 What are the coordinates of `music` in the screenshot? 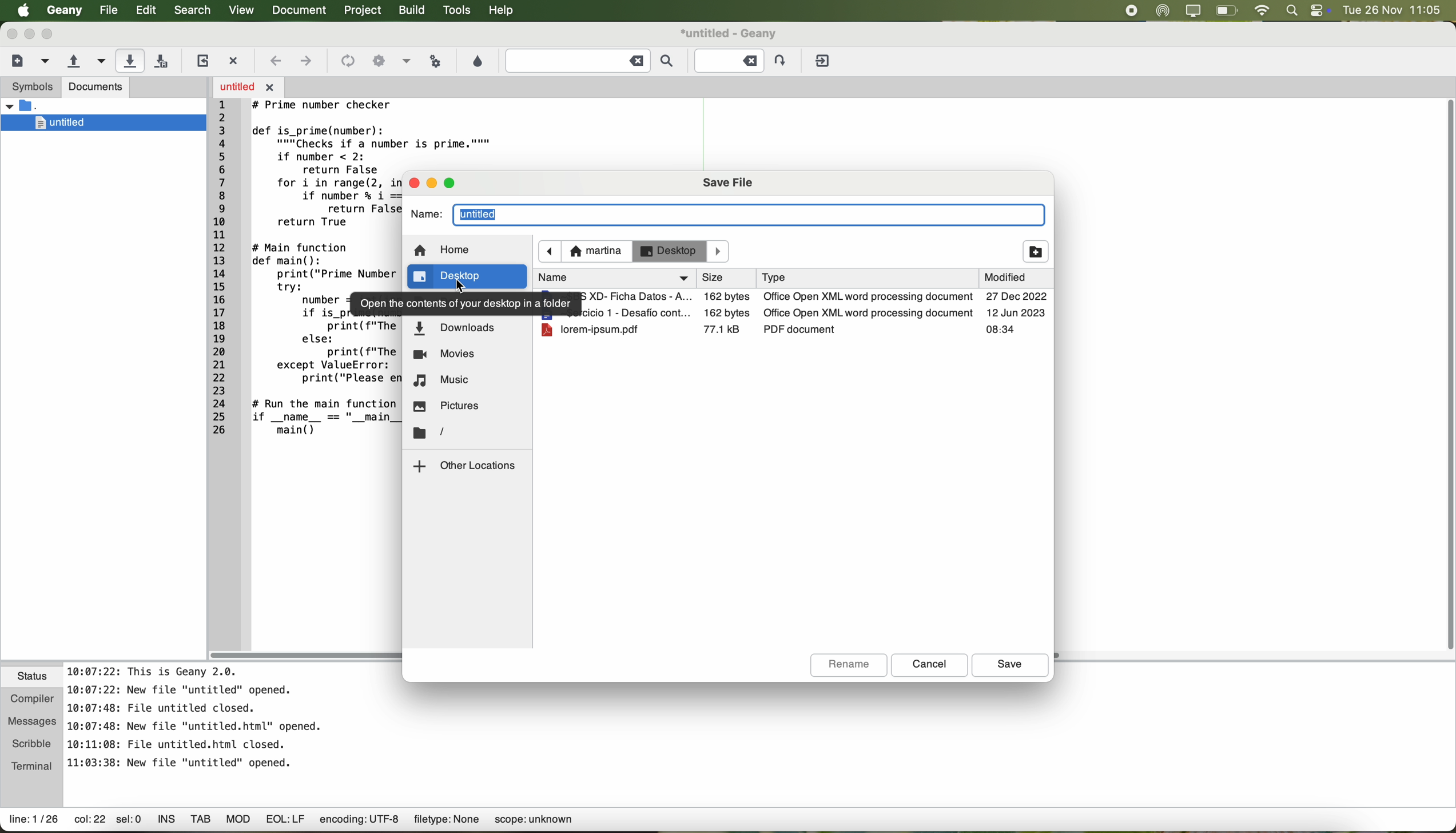 It's located at (443, 381).